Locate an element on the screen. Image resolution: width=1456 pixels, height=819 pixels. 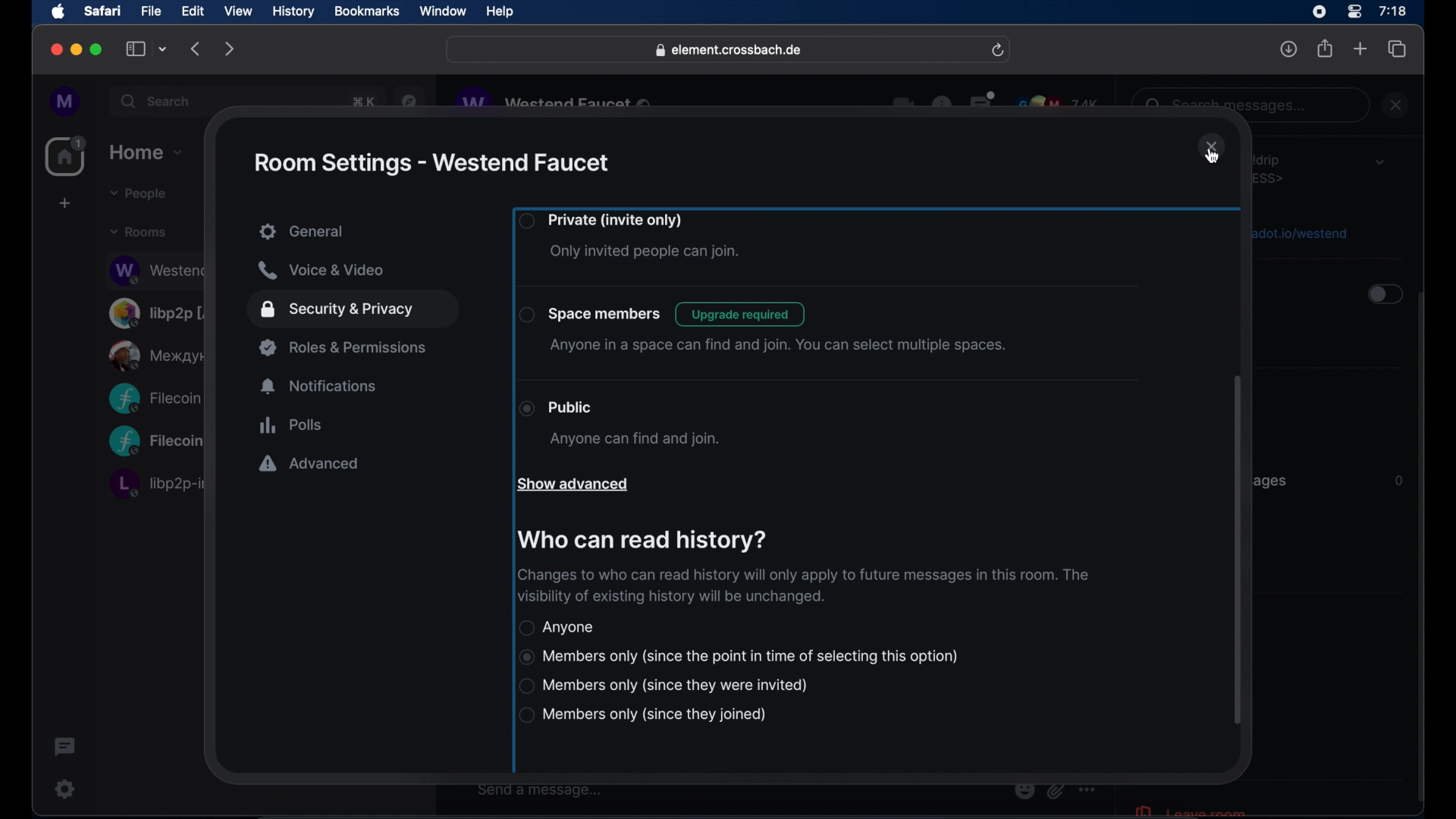
 is located at coordinates (1397, 481).